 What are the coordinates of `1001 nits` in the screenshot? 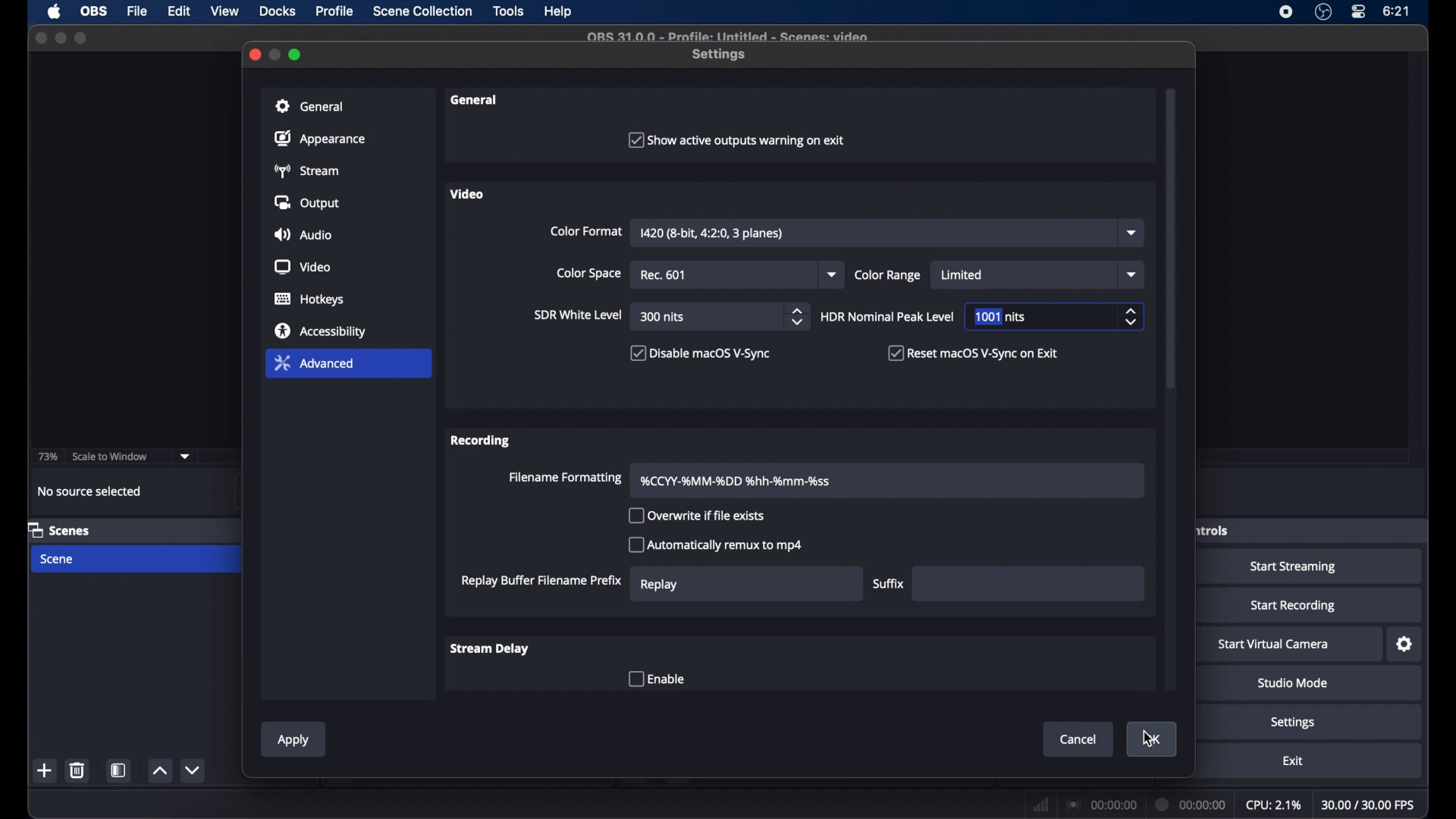 It's located at (1001, 316).